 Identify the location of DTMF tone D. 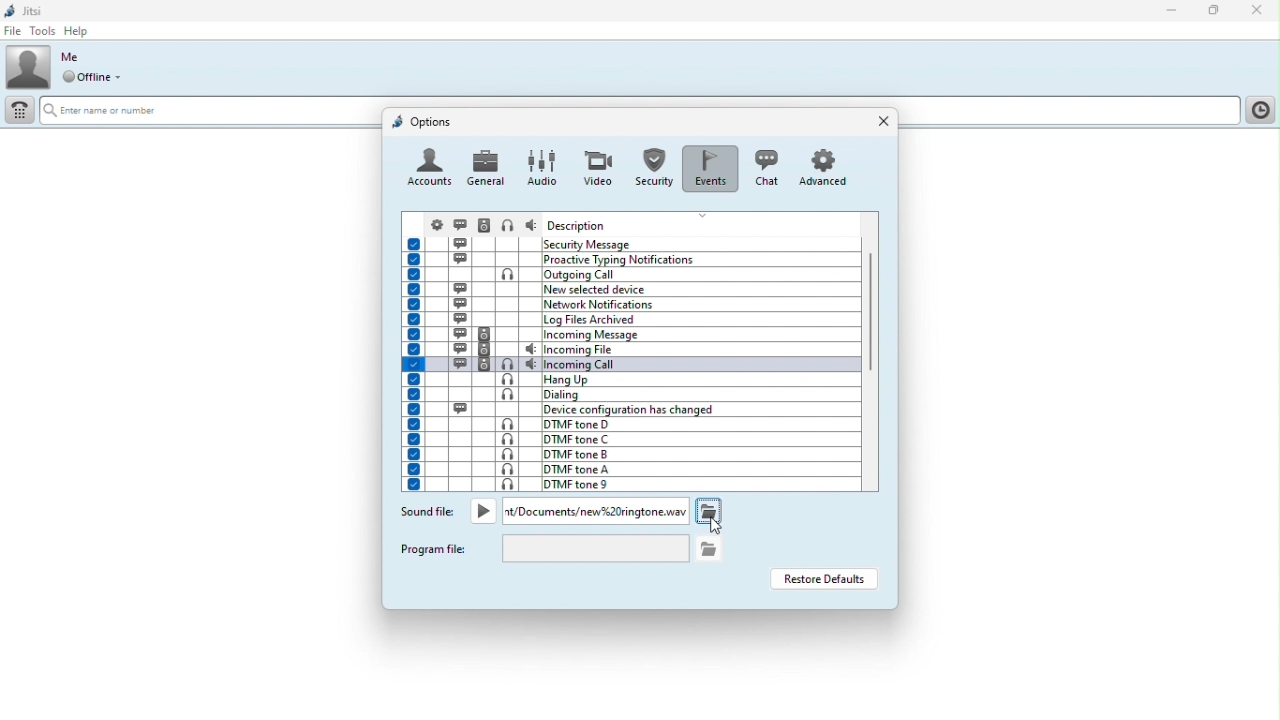
(619, 423).